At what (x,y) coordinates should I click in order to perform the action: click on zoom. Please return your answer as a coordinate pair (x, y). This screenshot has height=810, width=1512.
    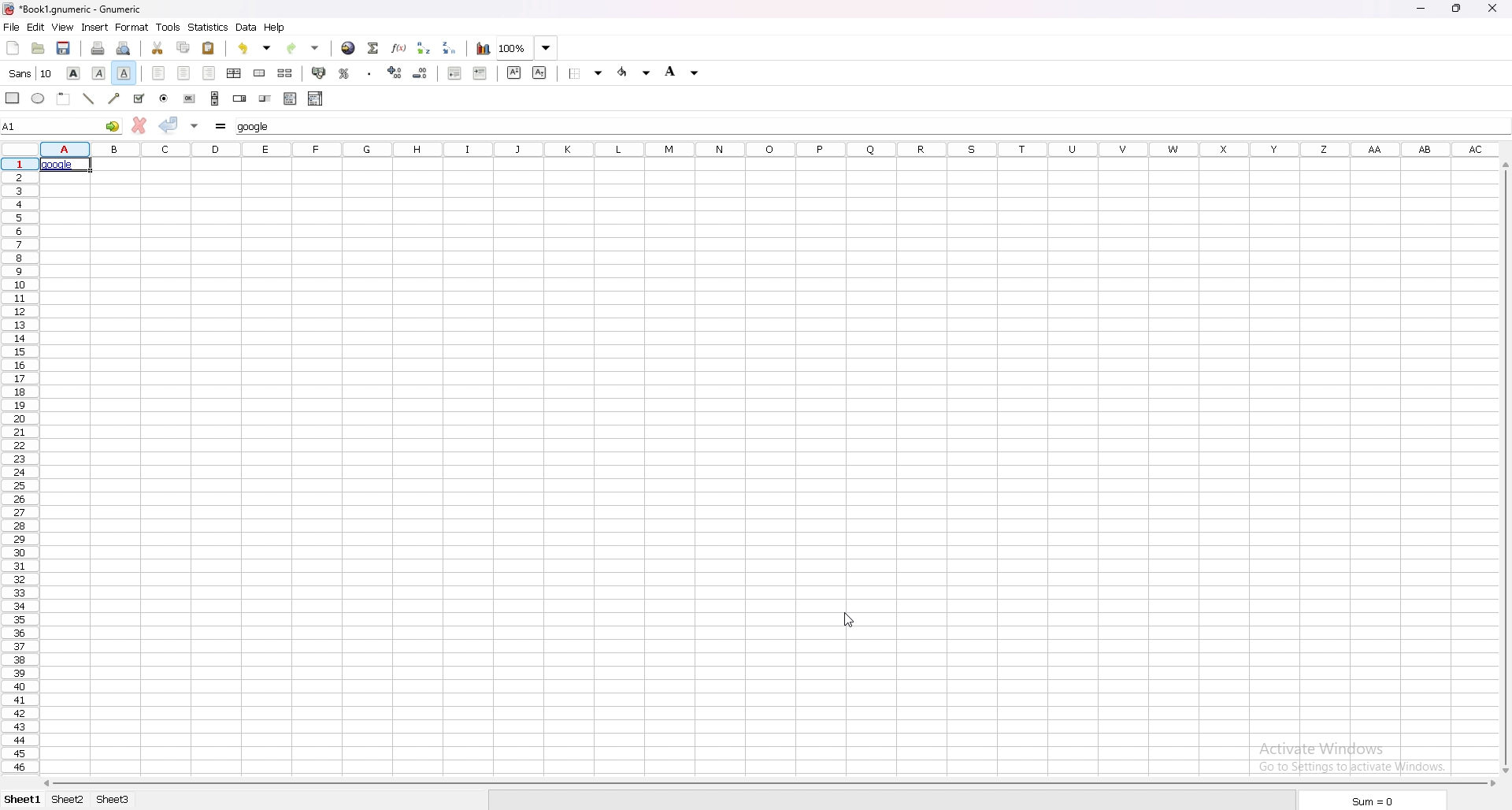
    Looking at the image, I should click on (528, 47).